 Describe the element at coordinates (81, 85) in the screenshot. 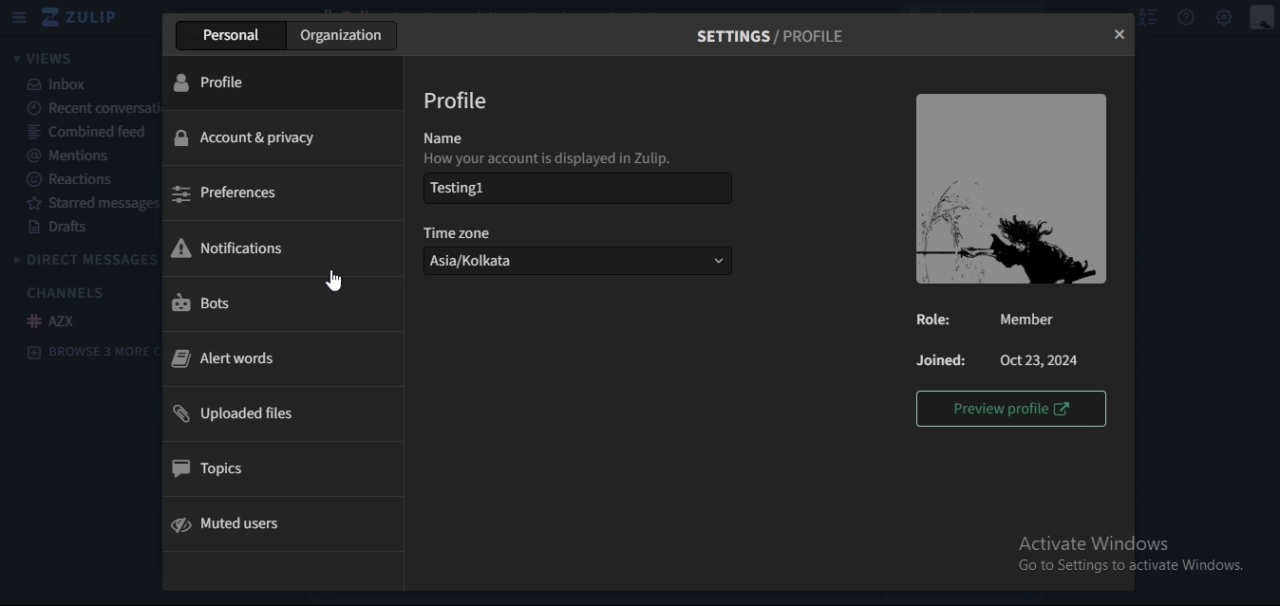

I see `inbox` at that location.